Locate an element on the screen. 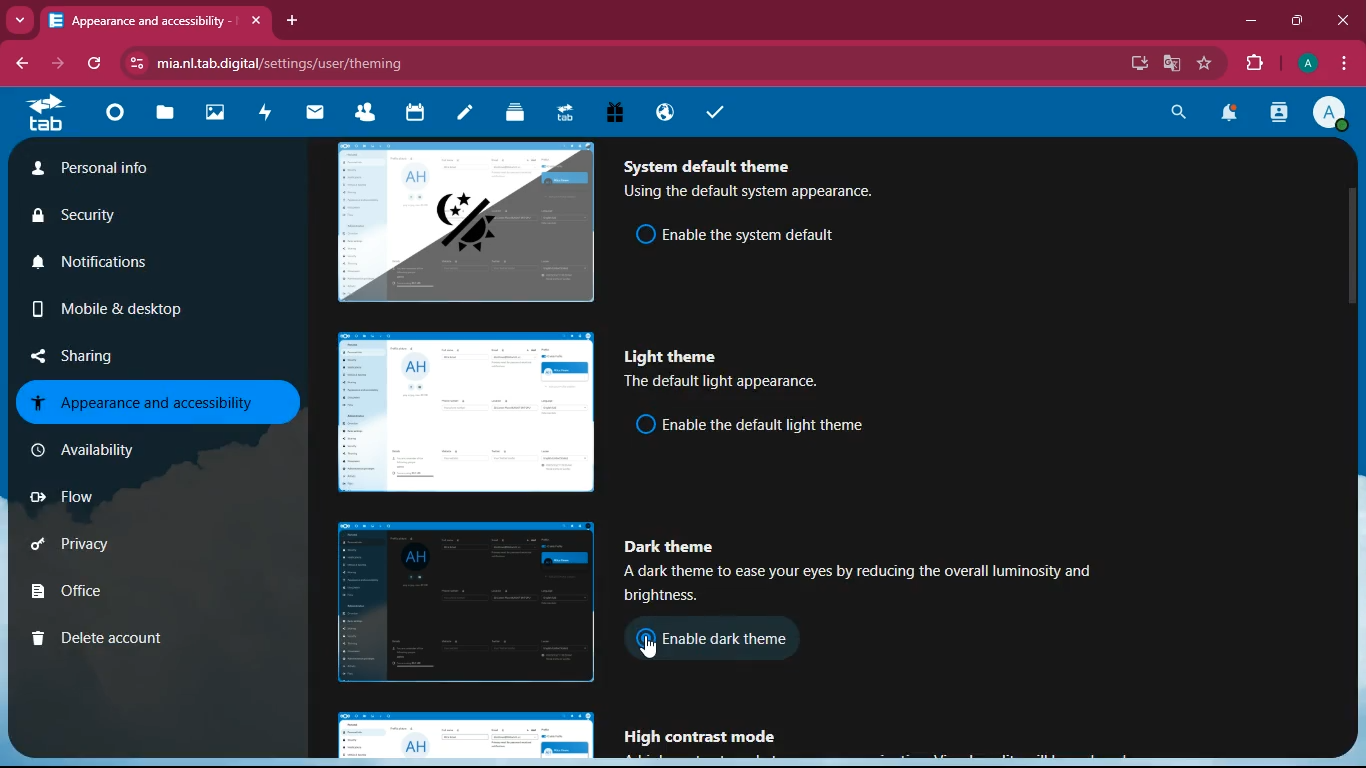  image is located at coordinates (217, 115).